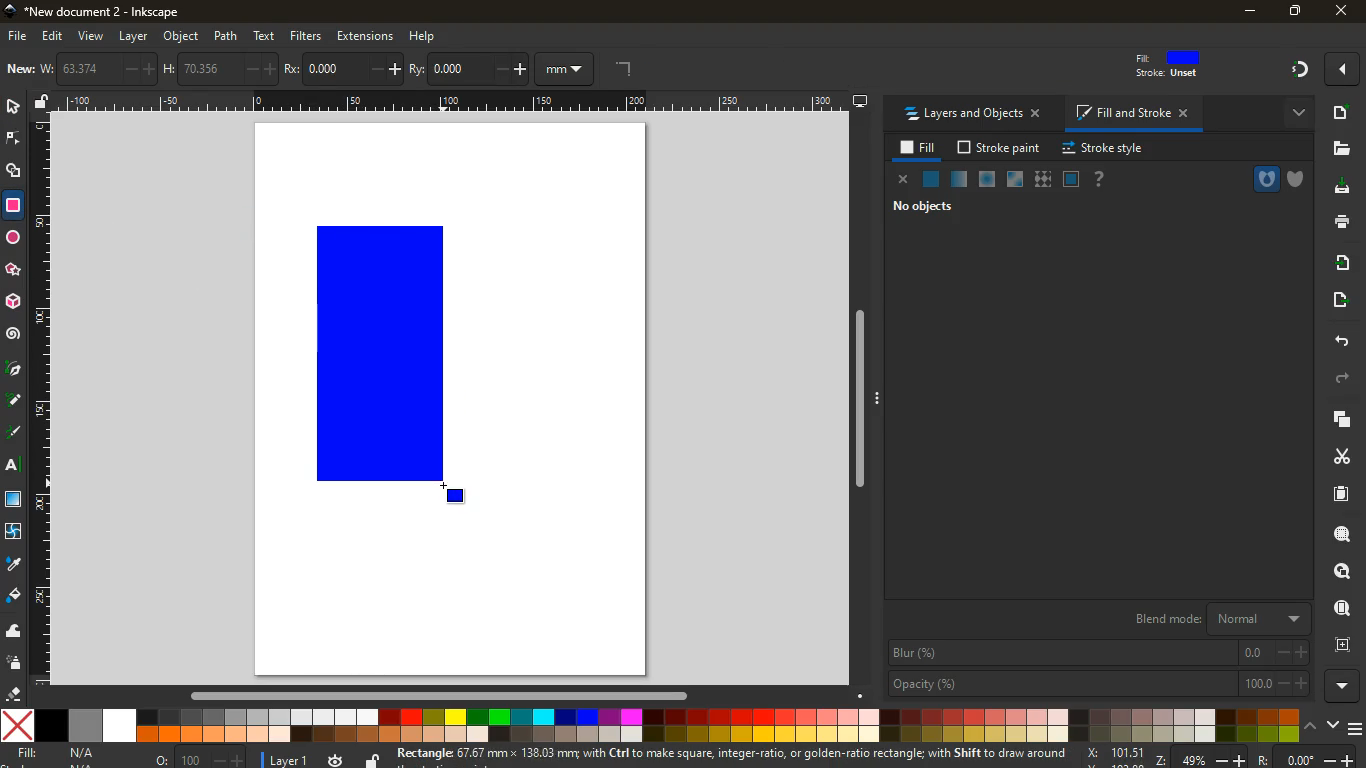 Image resolution: width=1366 pixels, height=768 pixels. I want to click on unlock, so click(44, 104).